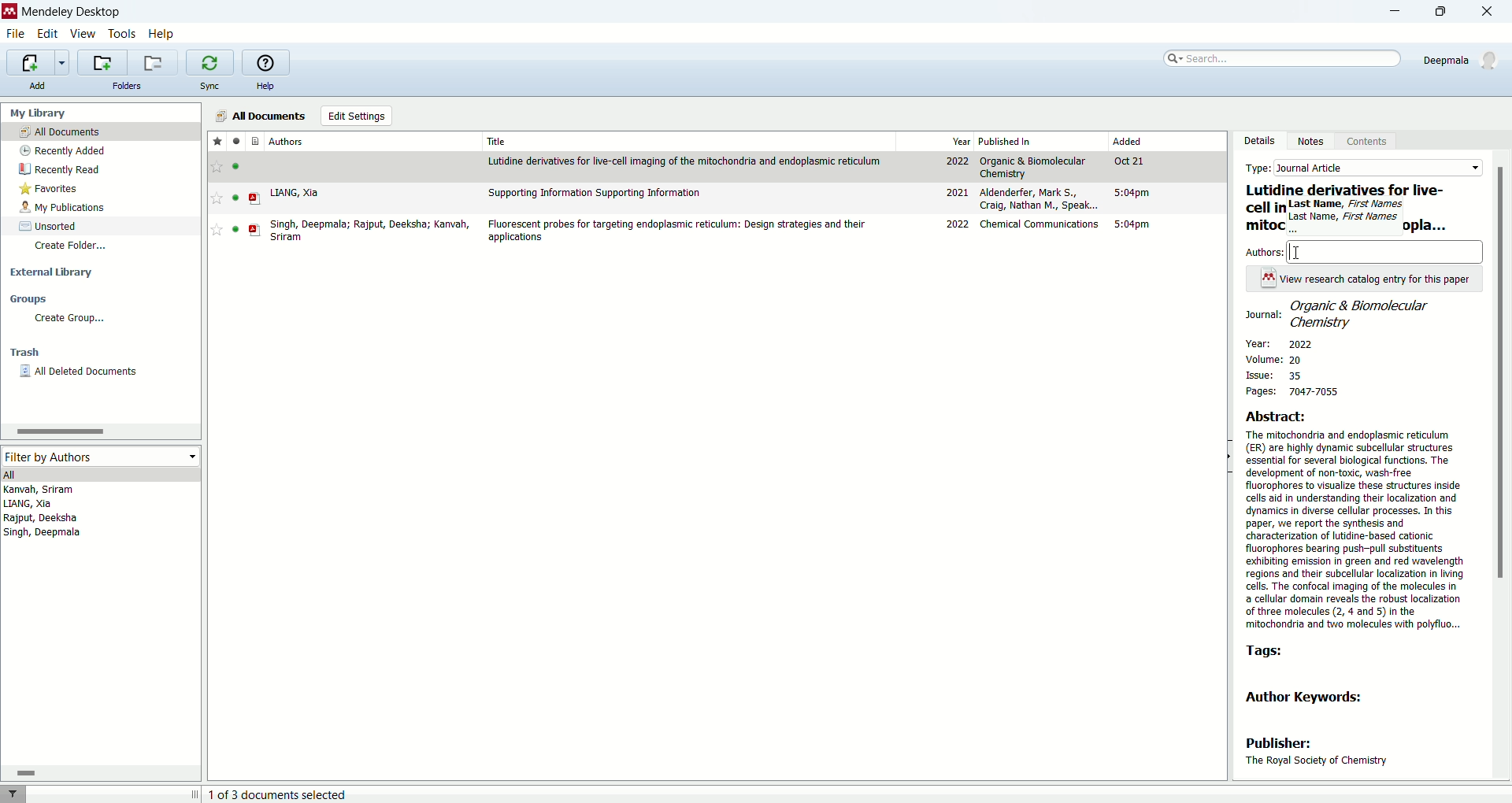  Describe the element at coordinates (1021, 142) in the screenshot. I see `published in` at that location.